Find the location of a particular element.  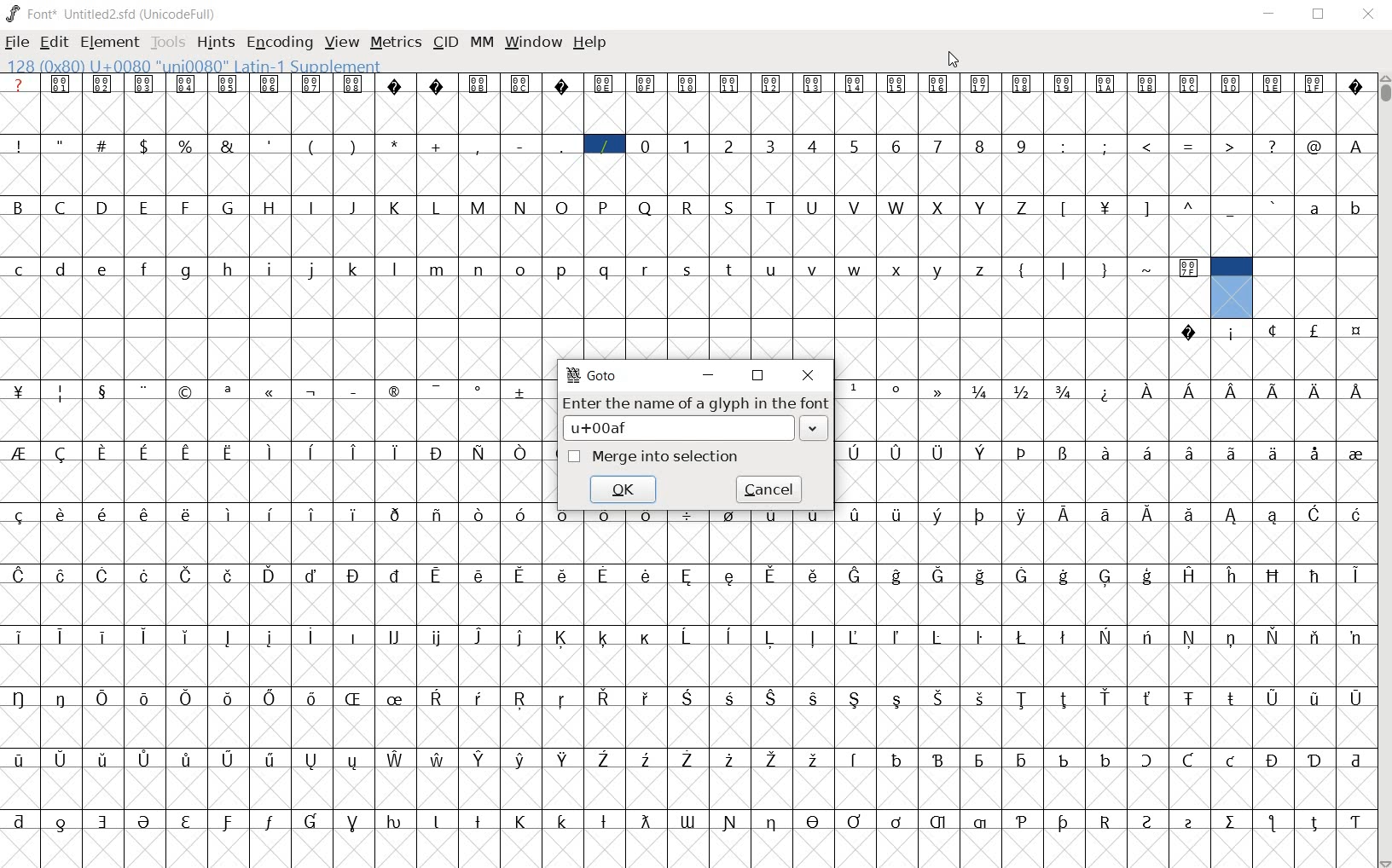

s is located at coordinates (688, 268).